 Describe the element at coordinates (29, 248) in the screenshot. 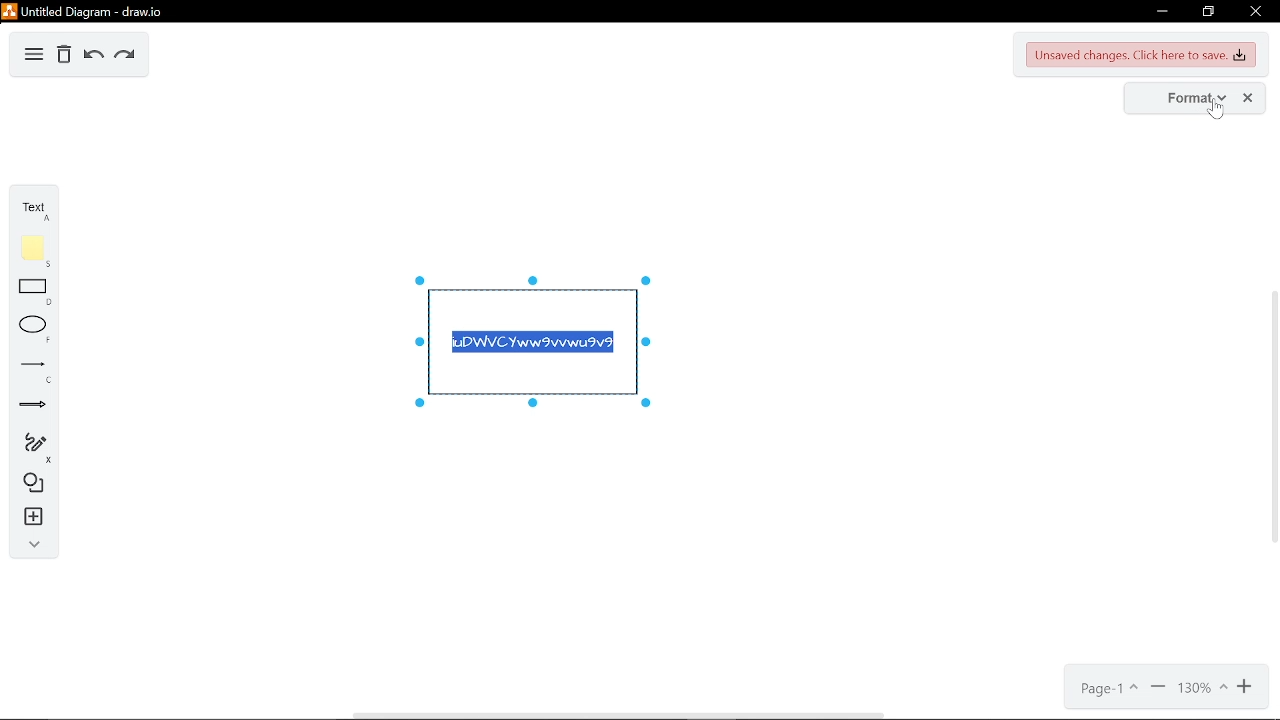

I see `note` at that location.